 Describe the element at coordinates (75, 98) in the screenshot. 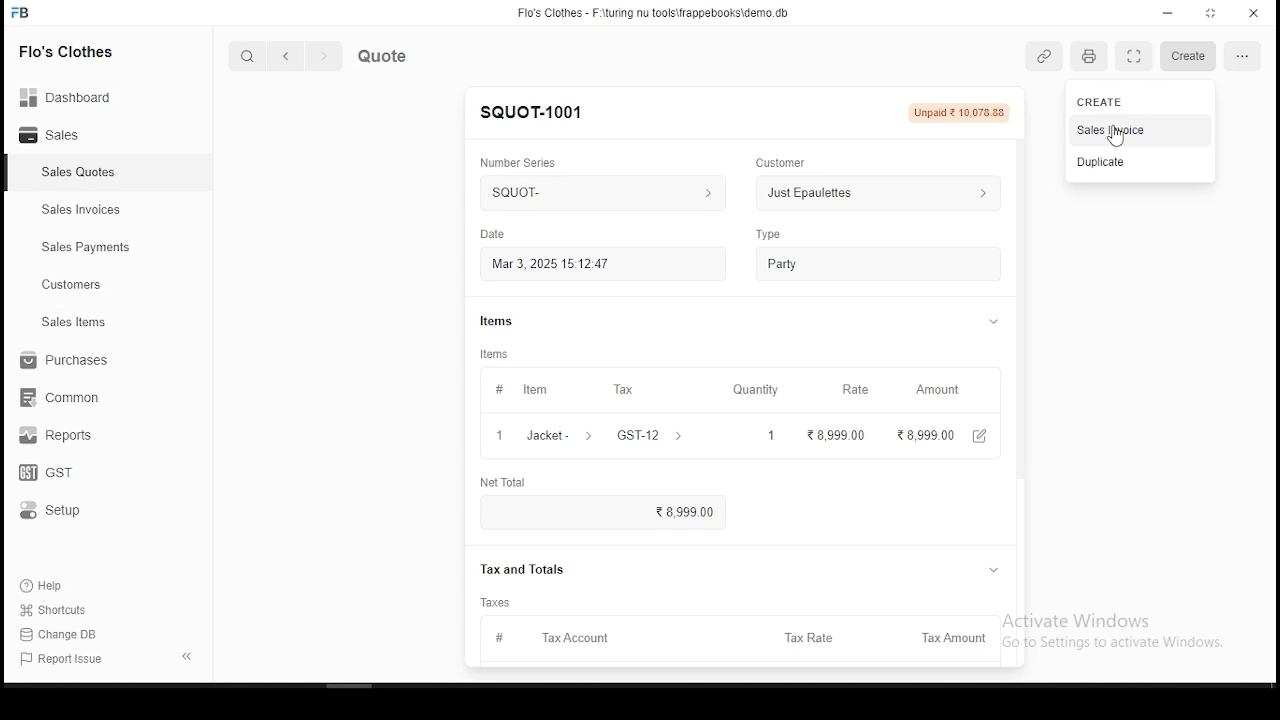

I see `Dashboard` at that location.